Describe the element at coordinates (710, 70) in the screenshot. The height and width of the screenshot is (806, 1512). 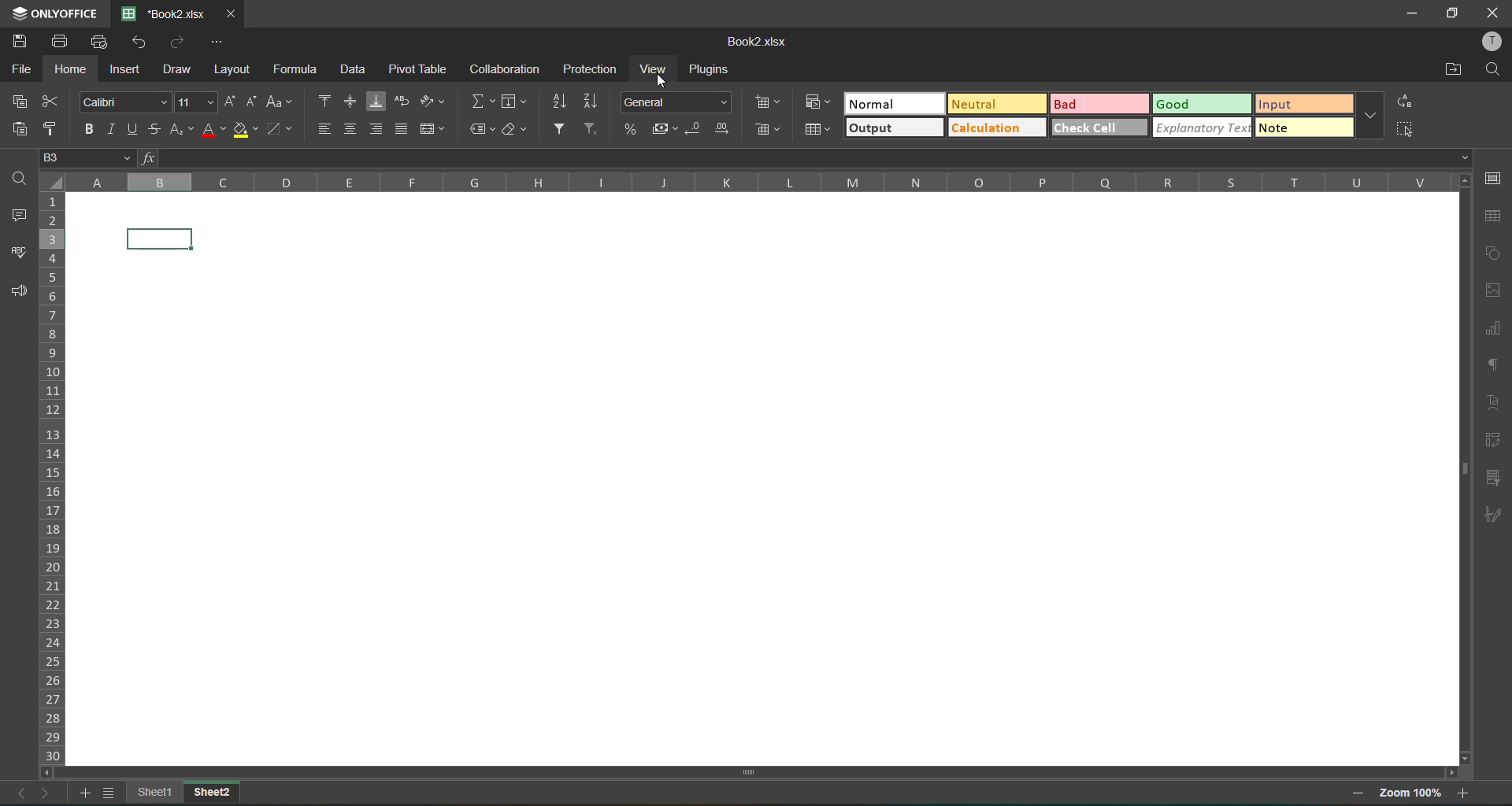
I see `plugins` at that location.